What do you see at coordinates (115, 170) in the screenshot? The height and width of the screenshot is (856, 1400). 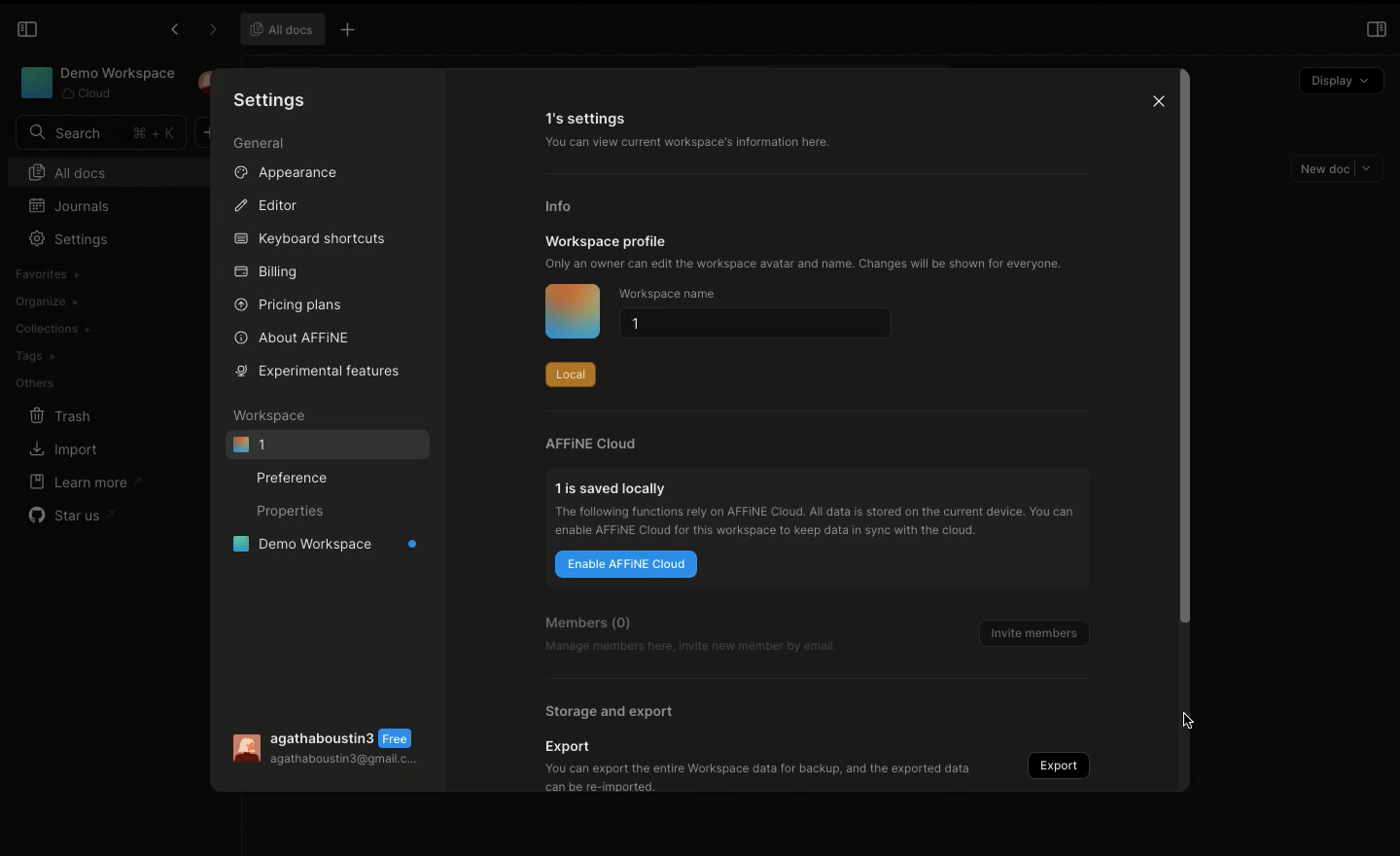 I see `All docs` at bounding box center [115, 170].